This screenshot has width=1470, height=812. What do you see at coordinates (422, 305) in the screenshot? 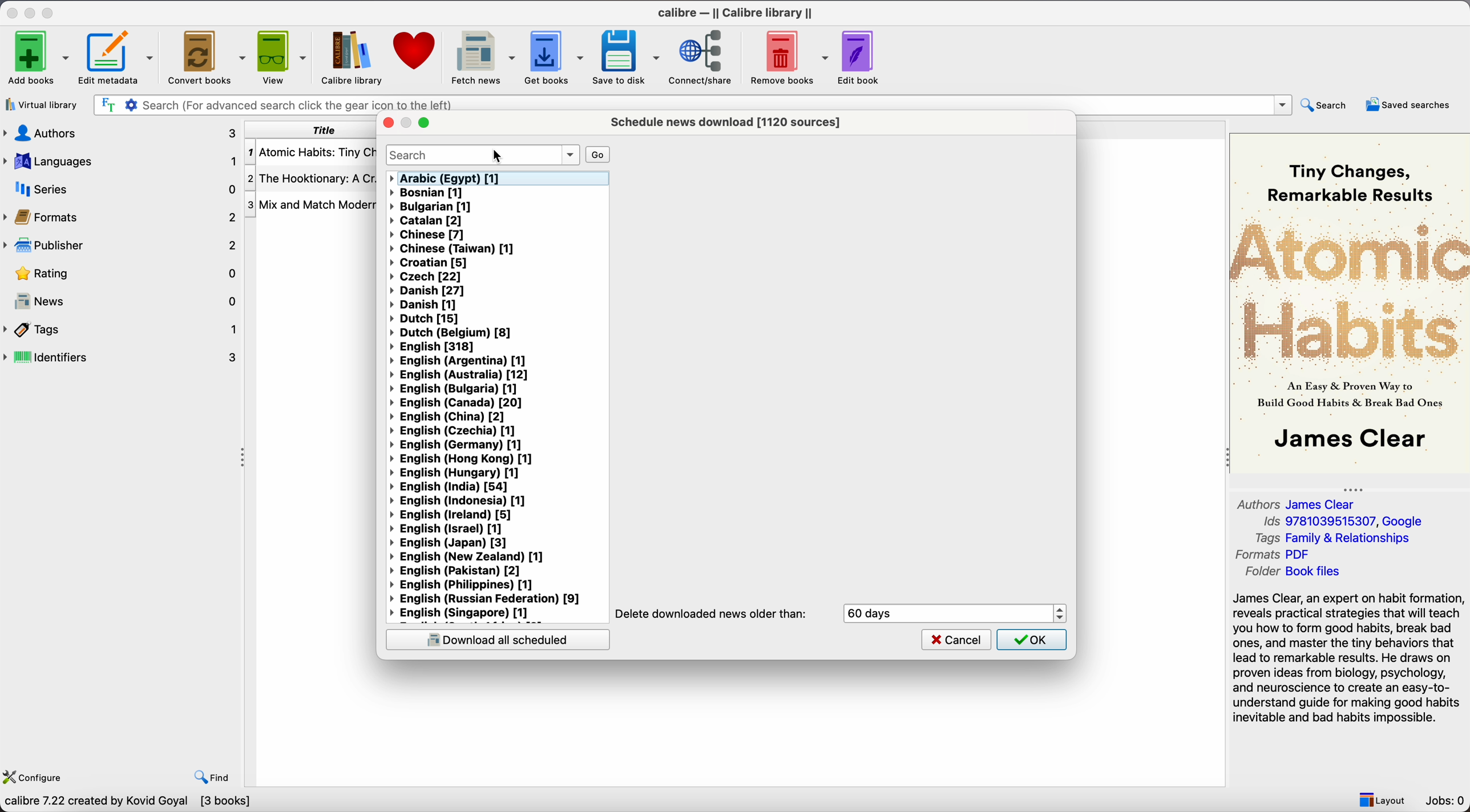
I see `Danish [1]` at bounding box center [422, 305].